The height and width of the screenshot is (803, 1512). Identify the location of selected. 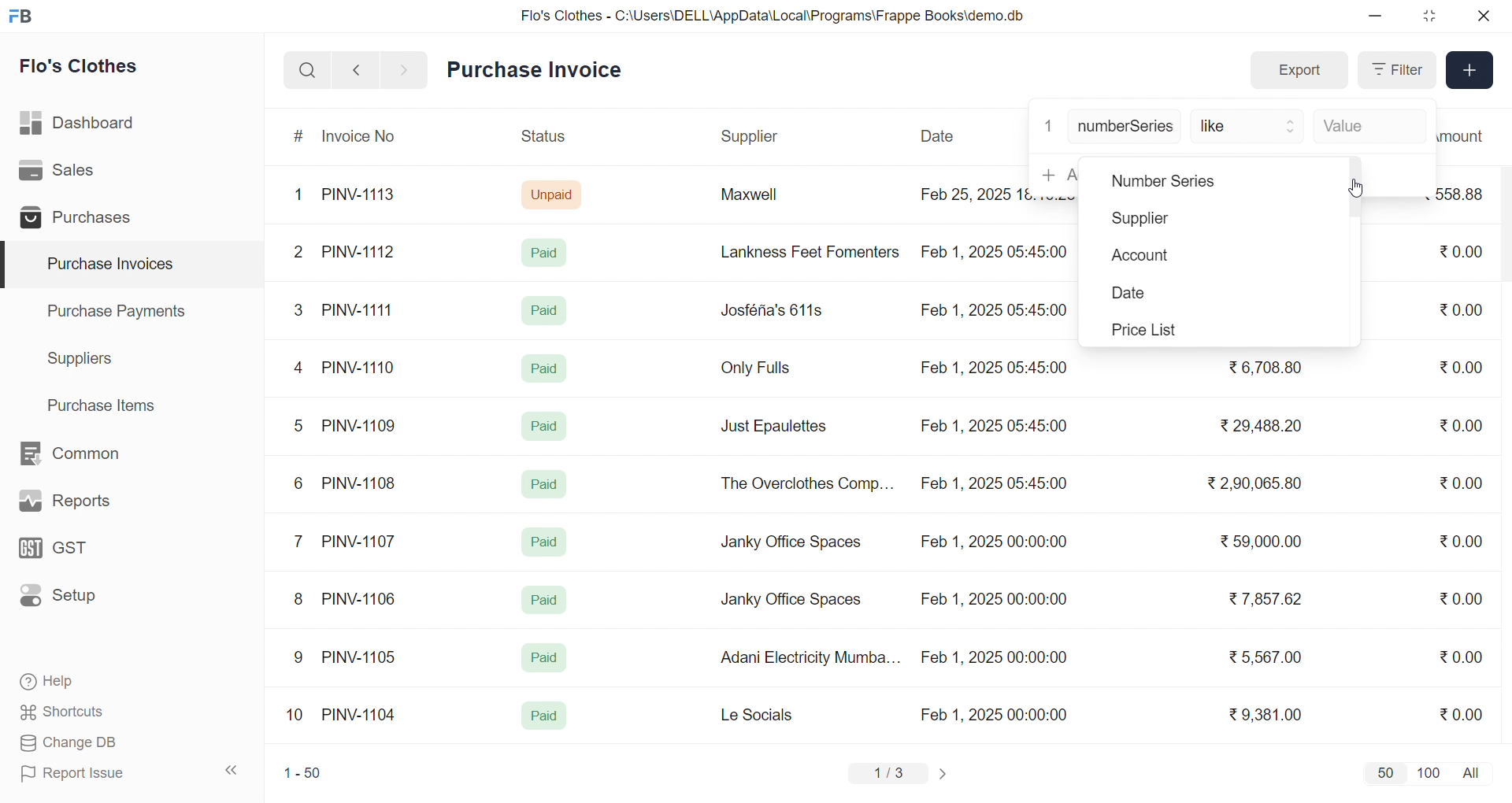
(9, 265).